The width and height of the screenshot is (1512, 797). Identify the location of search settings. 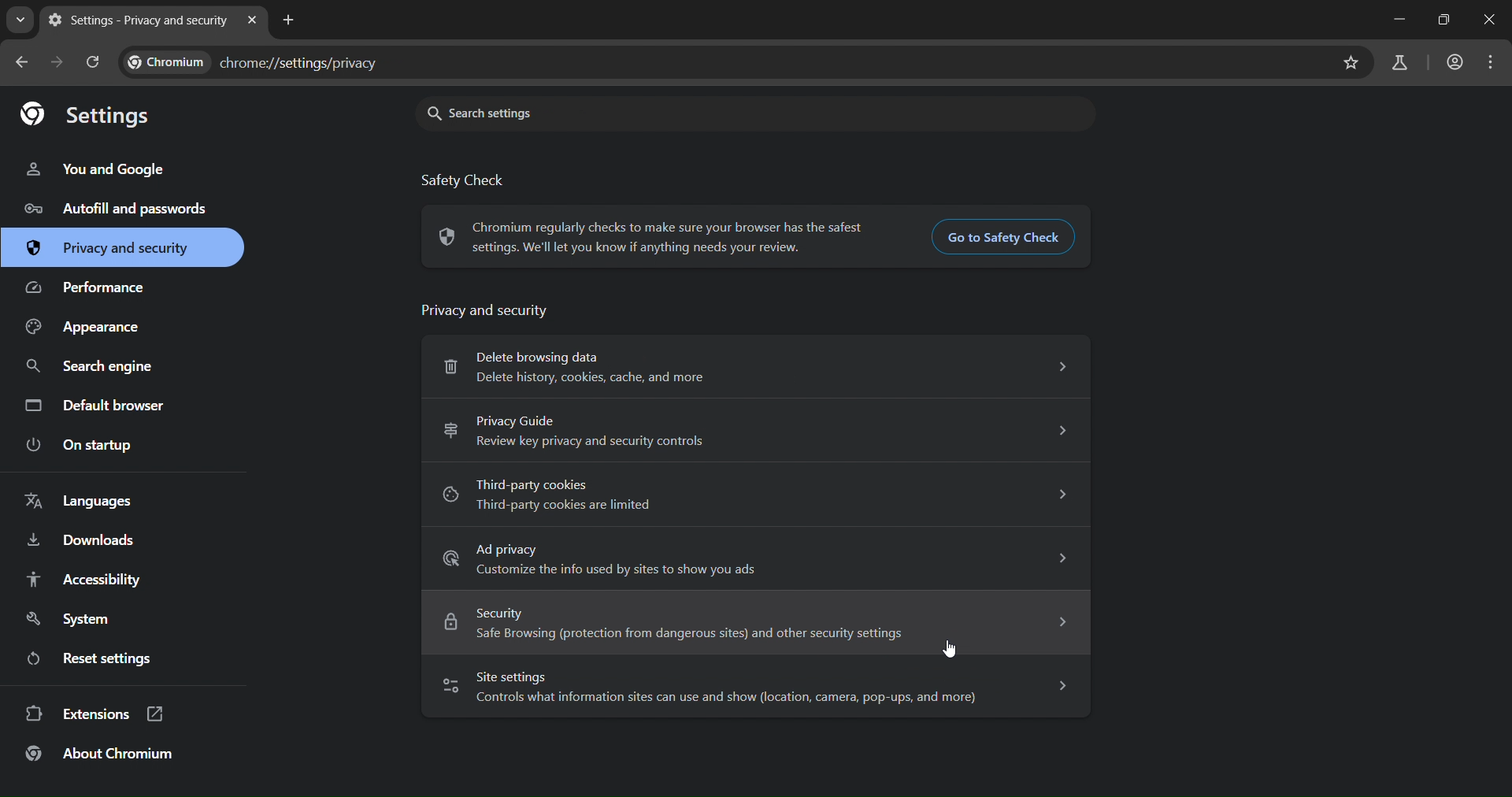
(757, 112).